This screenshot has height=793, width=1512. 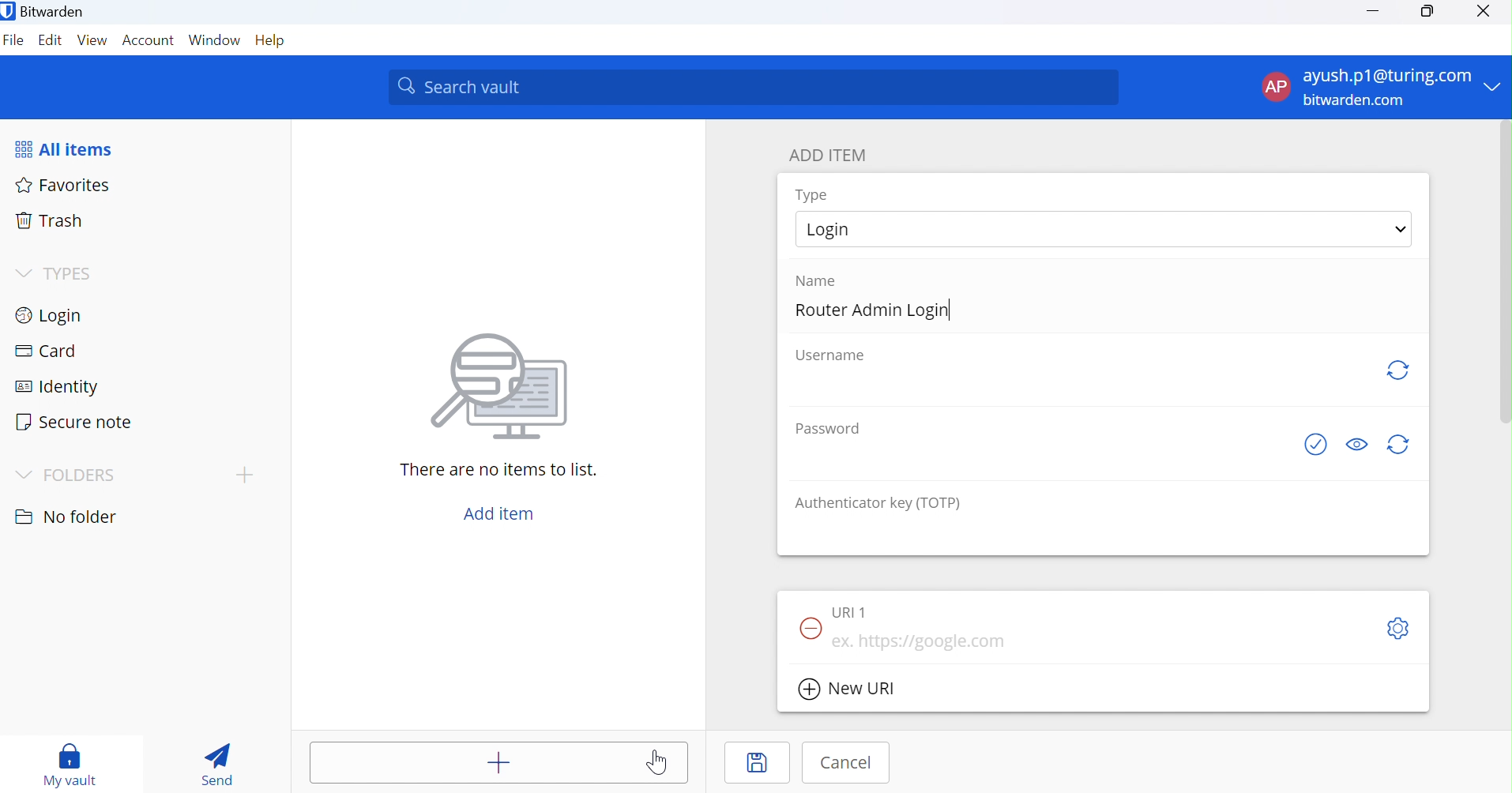 What do you see at coordinates (92, 43) in the screenshot?
I see `View` at bounding box center [92, 43].